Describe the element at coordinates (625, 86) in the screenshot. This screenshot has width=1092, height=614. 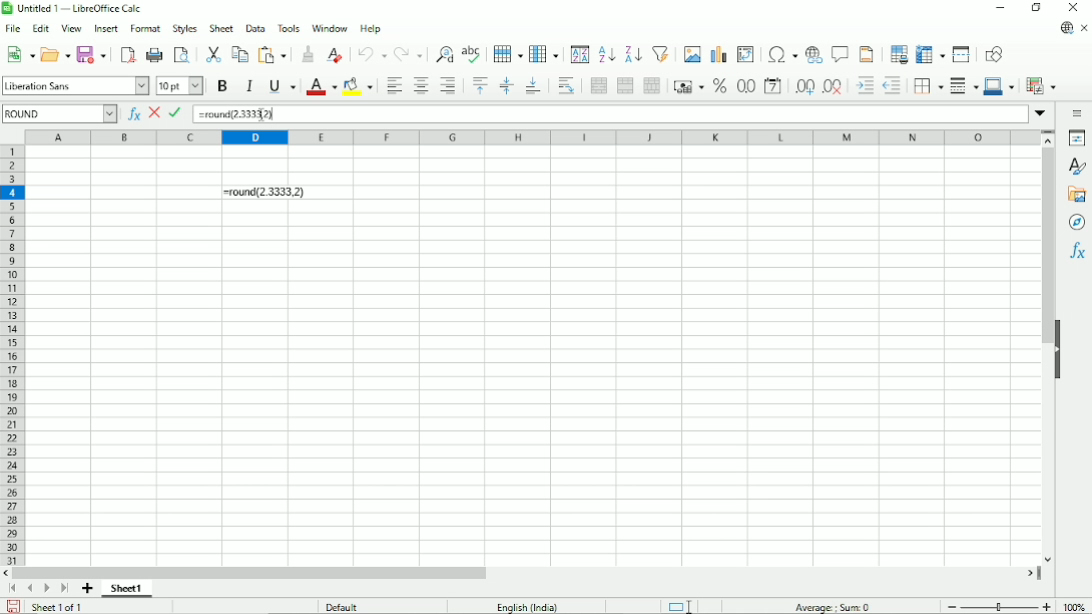
I see `Merge cells` at that location.